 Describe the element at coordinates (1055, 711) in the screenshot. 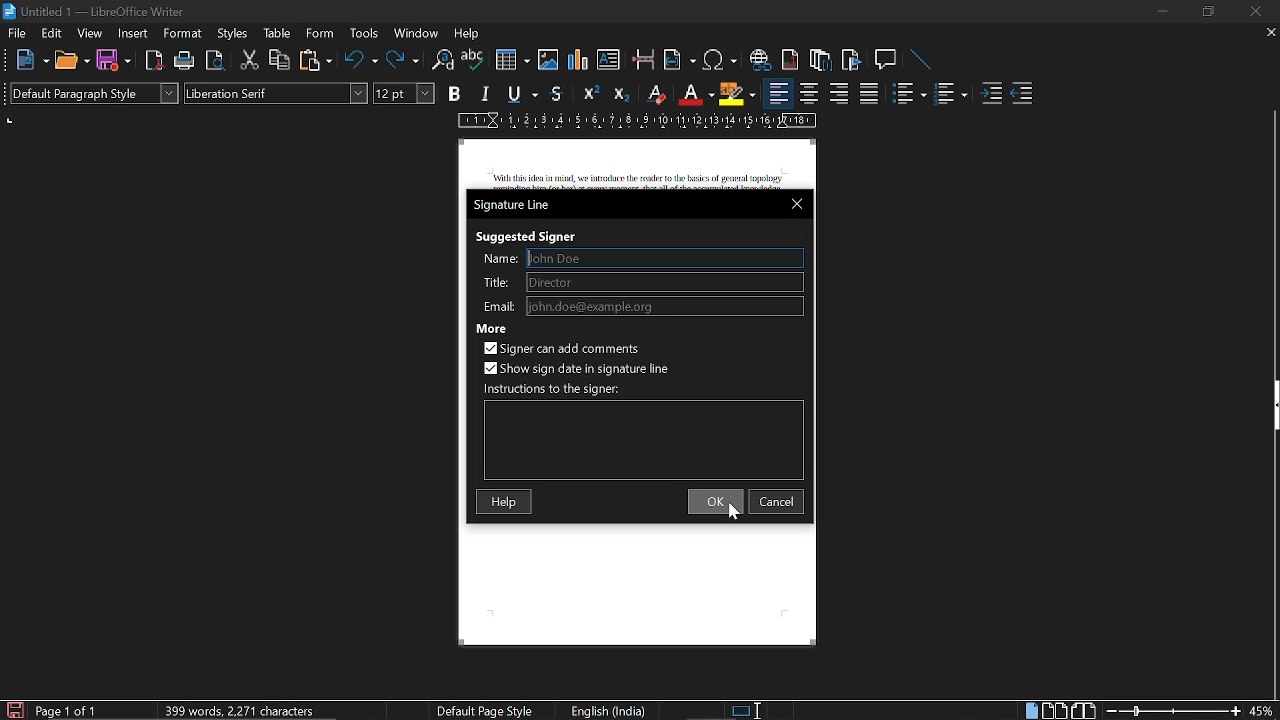

I see `multiple page view` at that location.